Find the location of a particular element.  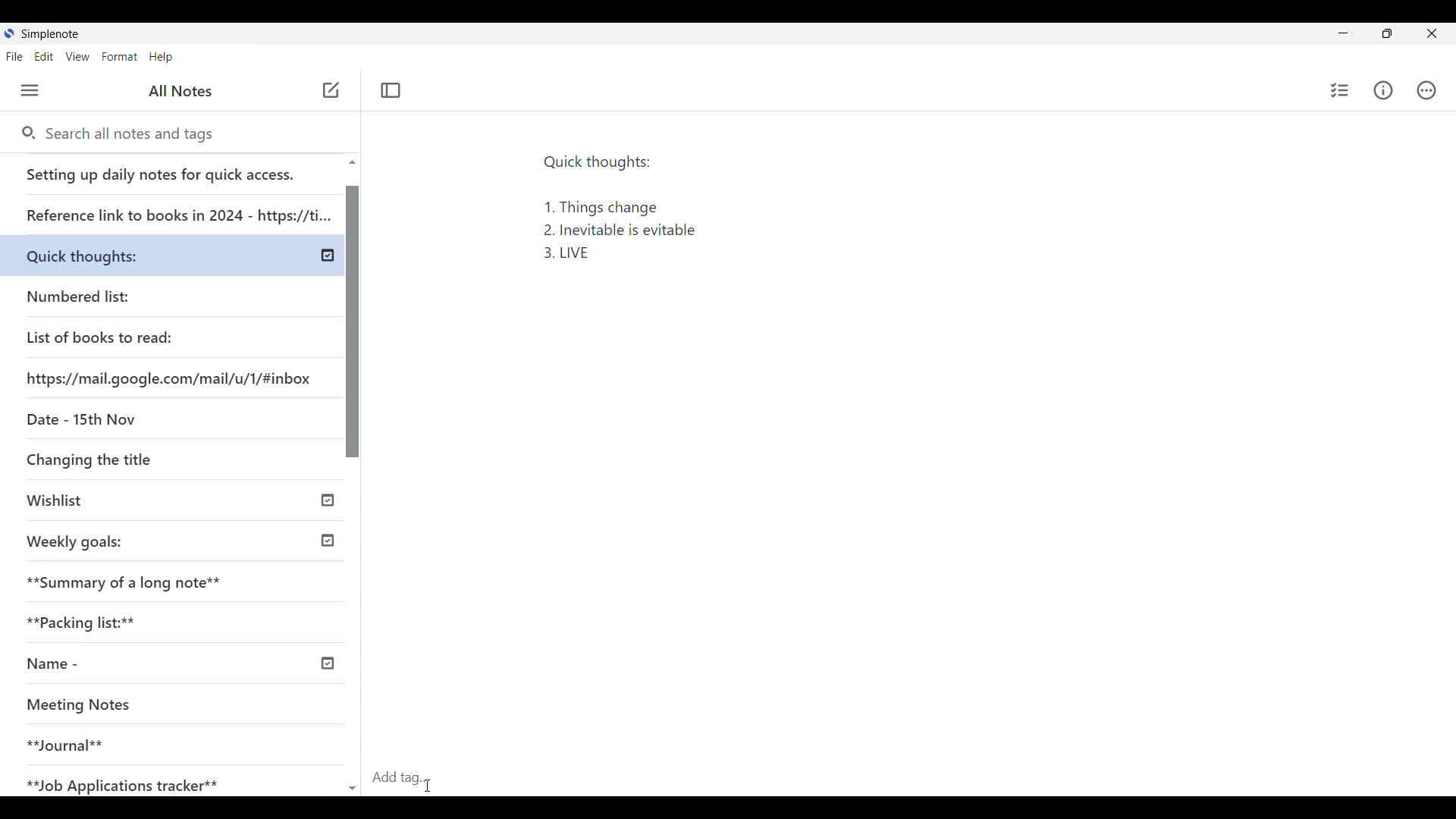

Cursor is located at coordinates (431, 784).